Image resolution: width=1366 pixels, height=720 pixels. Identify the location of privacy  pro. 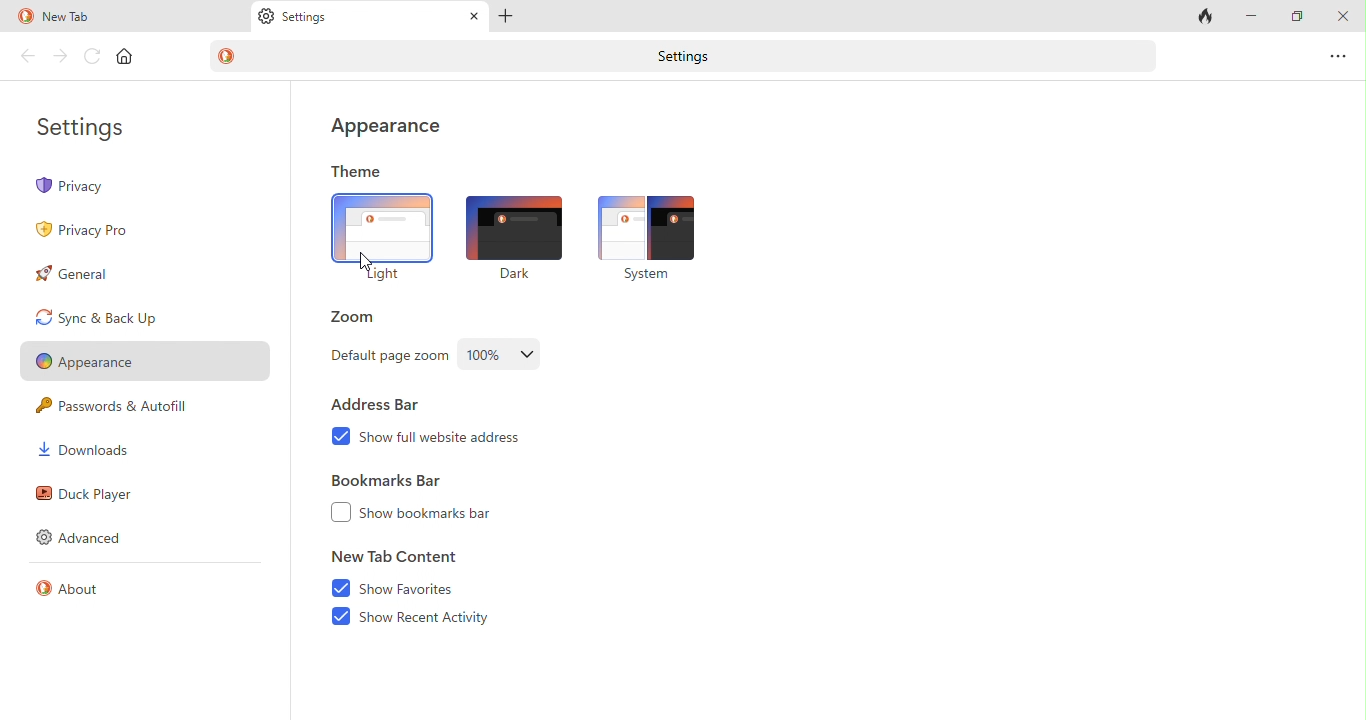
(91, 231).